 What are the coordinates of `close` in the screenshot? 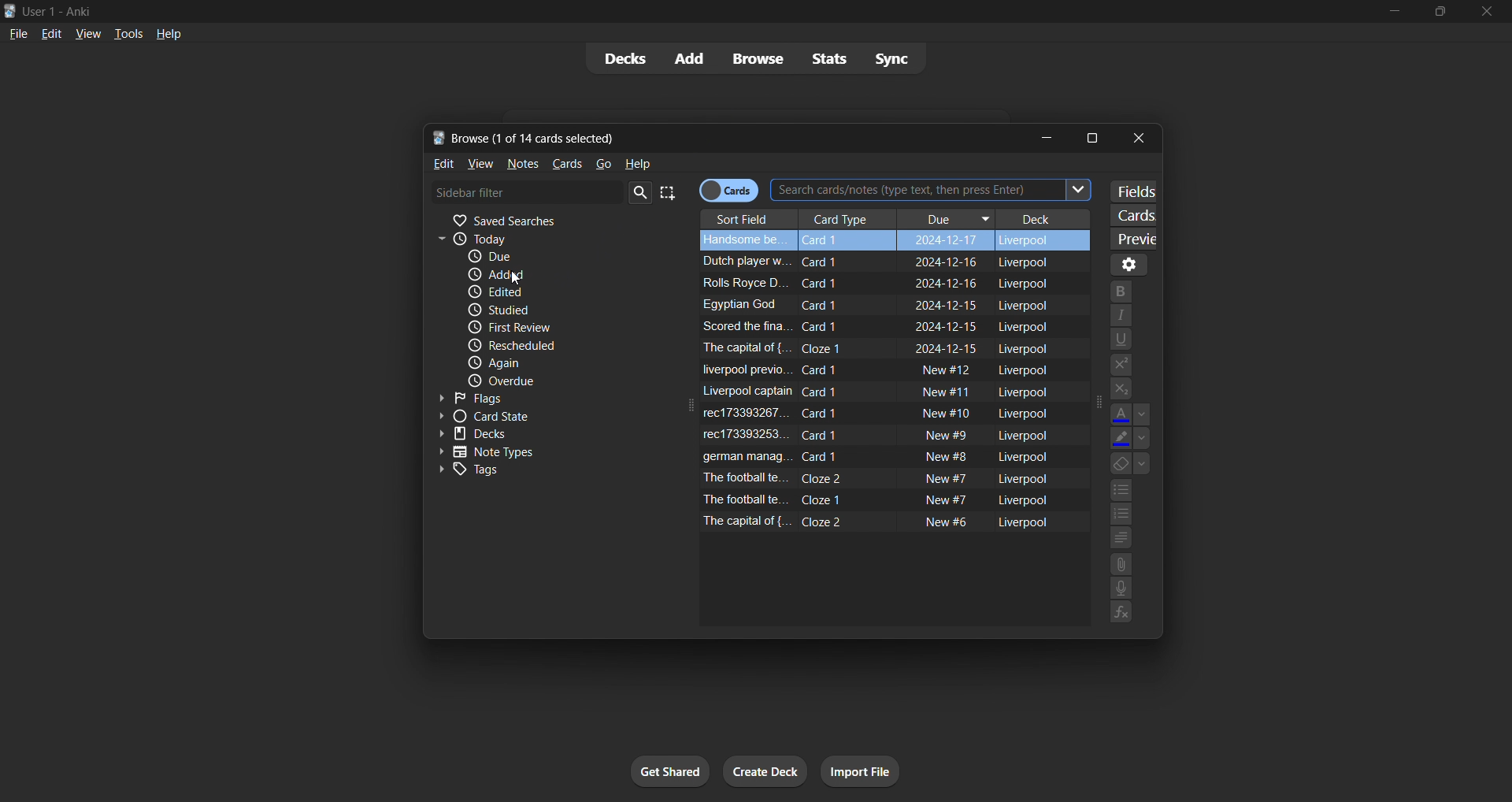 It's located at (1137, 138).